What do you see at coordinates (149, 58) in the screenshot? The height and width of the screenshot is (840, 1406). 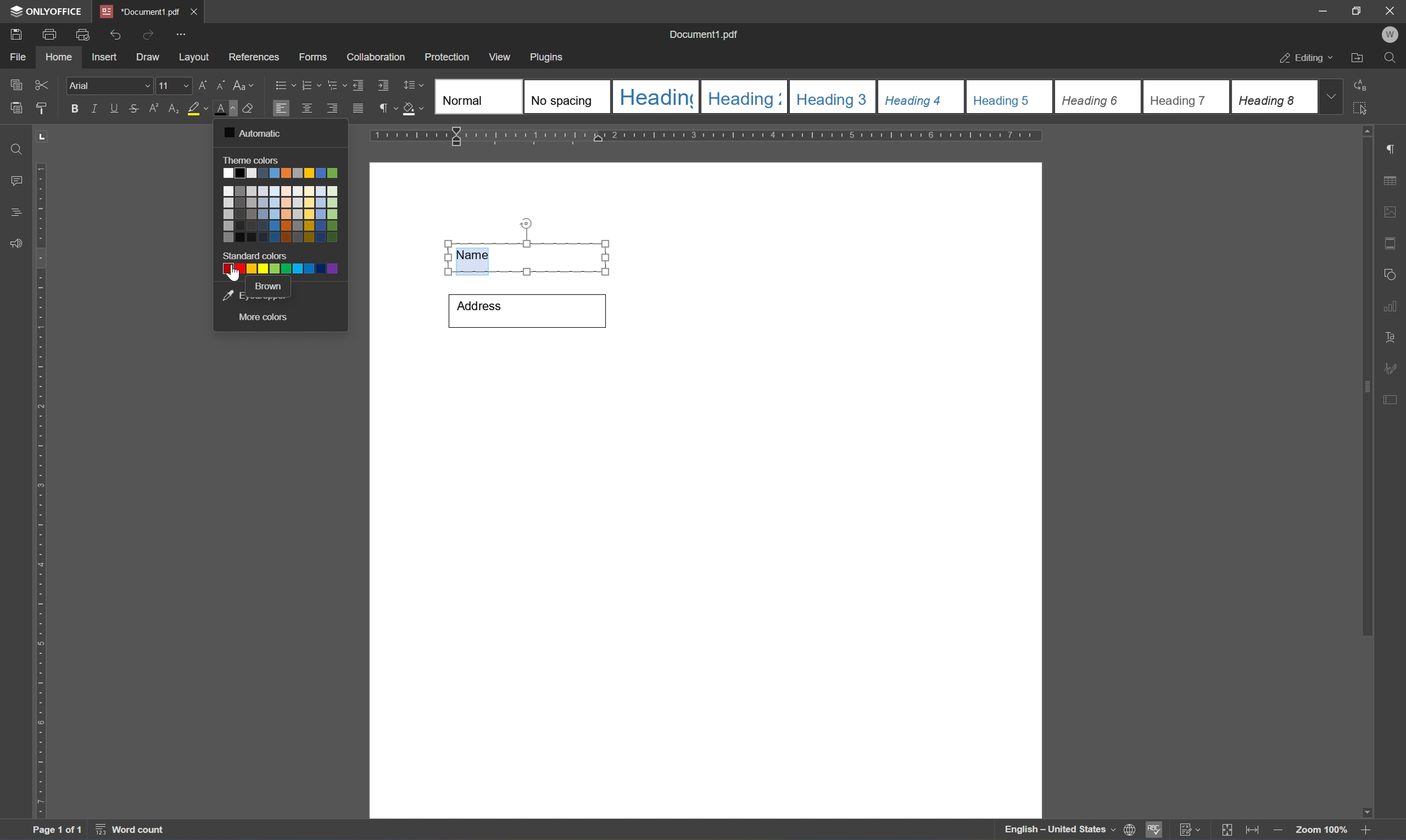 I see `draw` at bounding box center [149, 58].